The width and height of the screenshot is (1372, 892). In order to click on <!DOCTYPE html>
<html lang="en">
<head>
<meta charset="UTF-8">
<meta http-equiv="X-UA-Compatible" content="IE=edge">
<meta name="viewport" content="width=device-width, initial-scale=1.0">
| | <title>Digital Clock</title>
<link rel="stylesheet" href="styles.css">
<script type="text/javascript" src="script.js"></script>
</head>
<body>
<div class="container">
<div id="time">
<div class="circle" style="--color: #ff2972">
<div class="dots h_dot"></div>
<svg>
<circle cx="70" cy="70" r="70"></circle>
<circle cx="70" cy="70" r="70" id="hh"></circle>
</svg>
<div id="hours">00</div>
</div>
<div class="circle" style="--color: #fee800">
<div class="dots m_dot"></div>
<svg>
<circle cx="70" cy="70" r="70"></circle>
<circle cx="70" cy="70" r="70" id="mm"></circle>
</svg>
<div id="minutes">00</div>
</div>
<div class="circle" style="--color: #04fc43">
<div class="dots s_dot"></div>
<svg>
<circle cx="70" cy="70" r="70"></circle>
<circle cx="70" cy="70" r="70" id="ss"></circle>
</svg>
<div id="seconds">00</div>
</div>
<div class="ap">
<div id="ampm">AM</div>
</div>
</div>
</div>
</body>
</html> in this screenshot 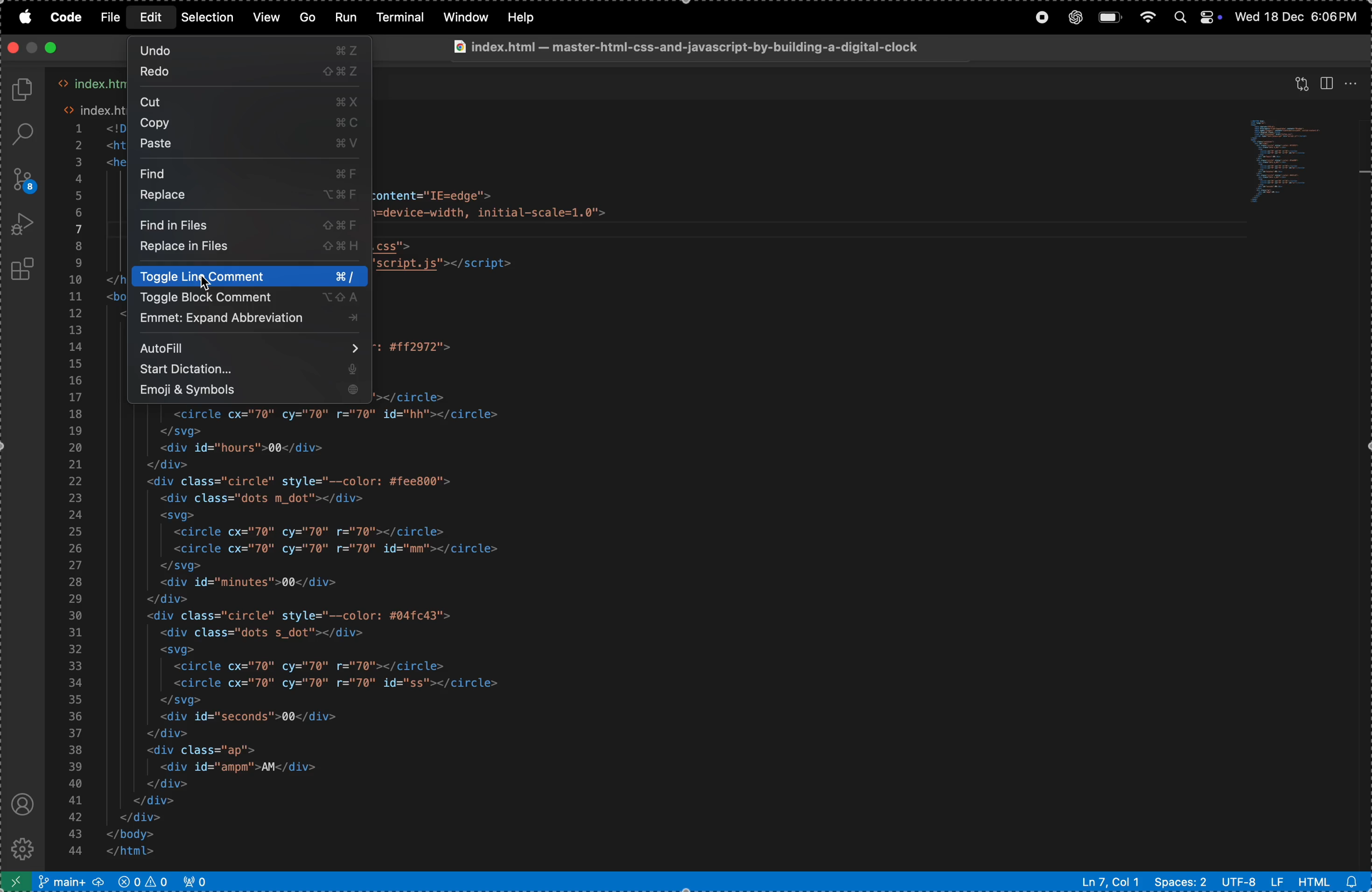, I will do `click(333, 634)`.